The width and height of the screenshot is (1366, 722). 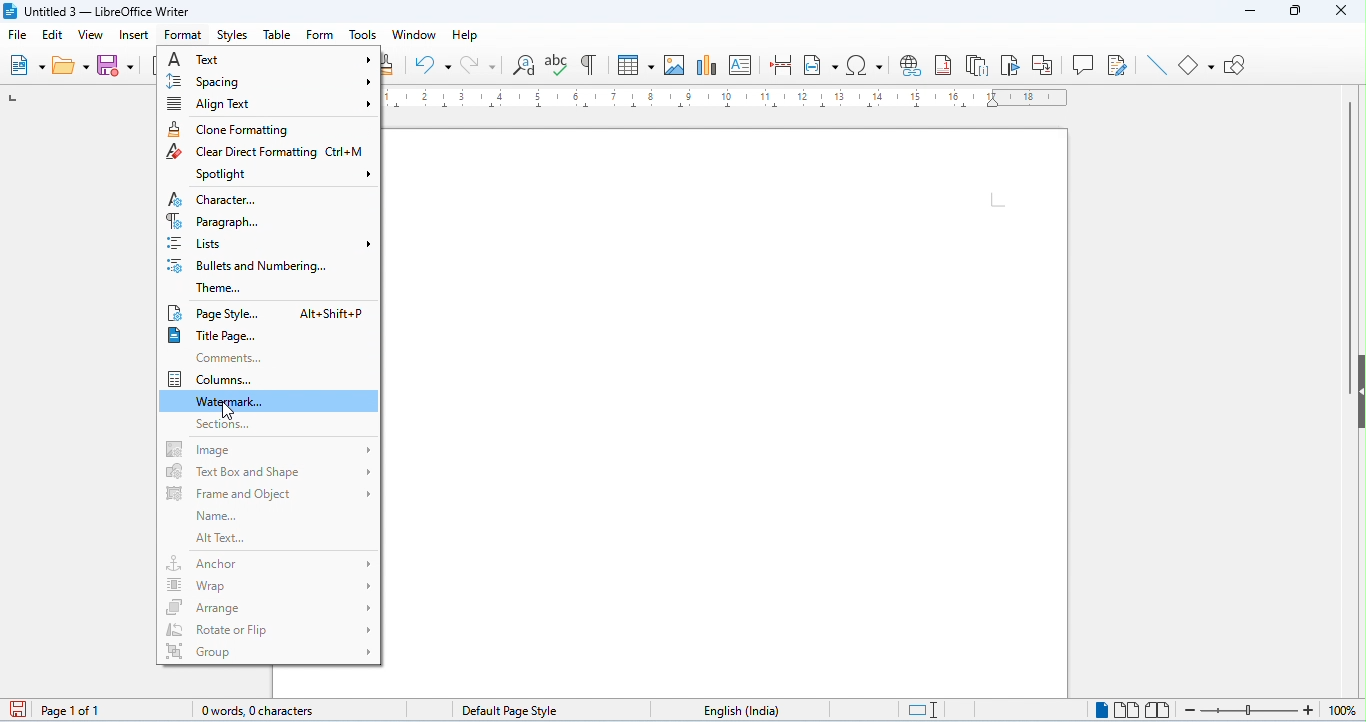 I want to click on 0 words, 0 characters, so click(x=249, y=708).